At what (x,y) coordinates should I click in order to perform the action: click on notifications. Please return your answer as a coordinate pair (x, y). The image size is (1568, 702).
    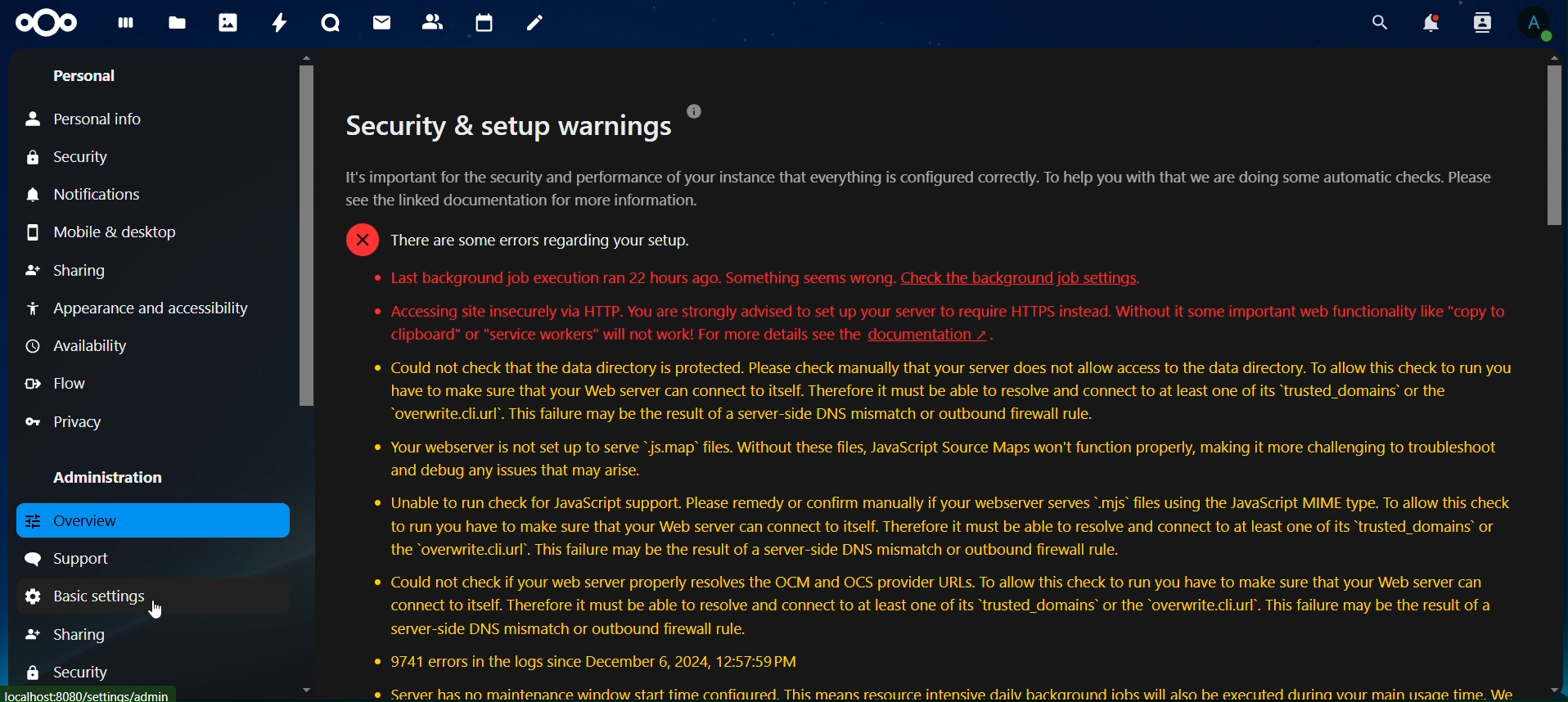
    Looking at the image, I should click on (1428, 23).